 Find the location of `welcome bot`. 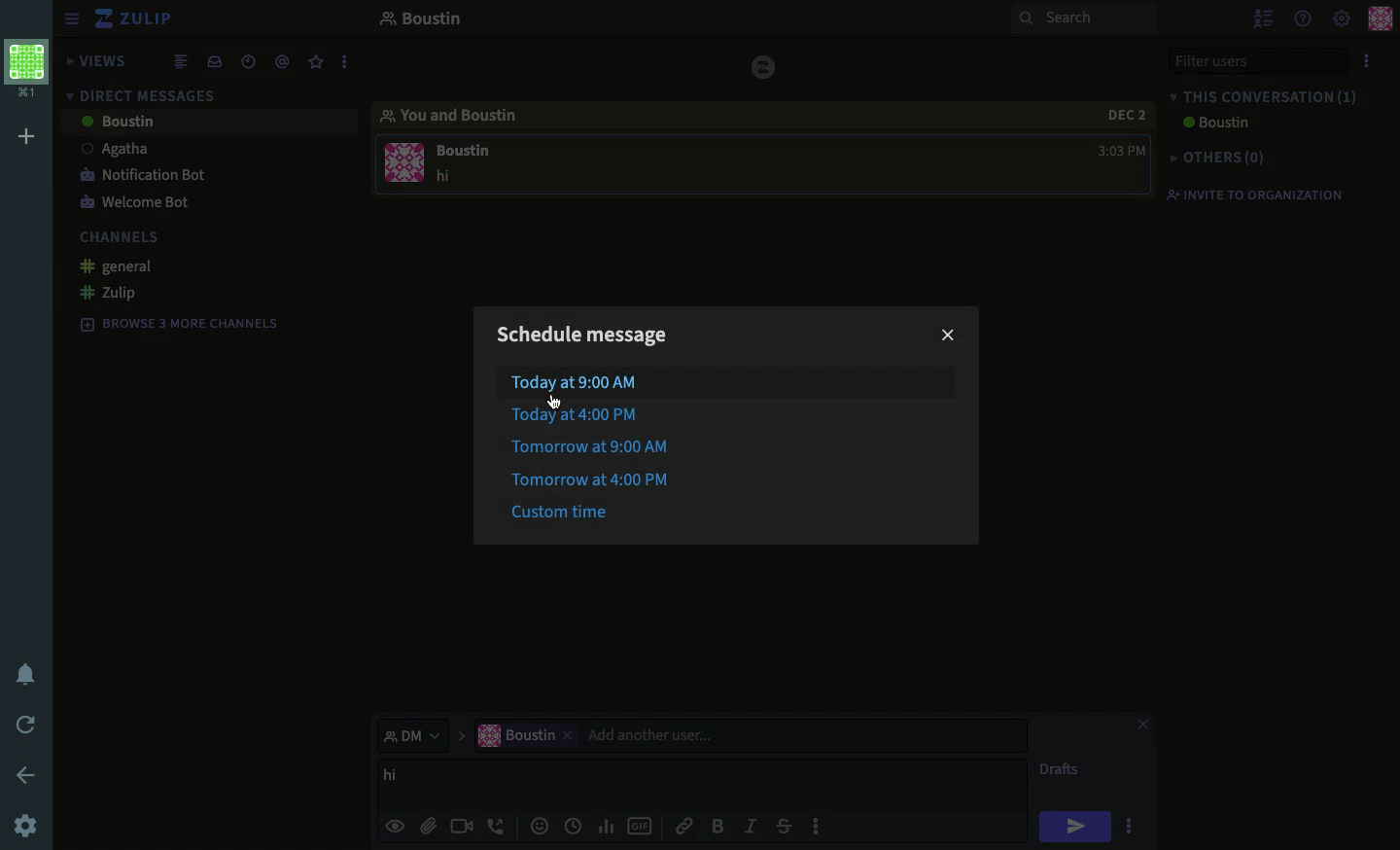

welcome bot is located at coordinates (134, 204).